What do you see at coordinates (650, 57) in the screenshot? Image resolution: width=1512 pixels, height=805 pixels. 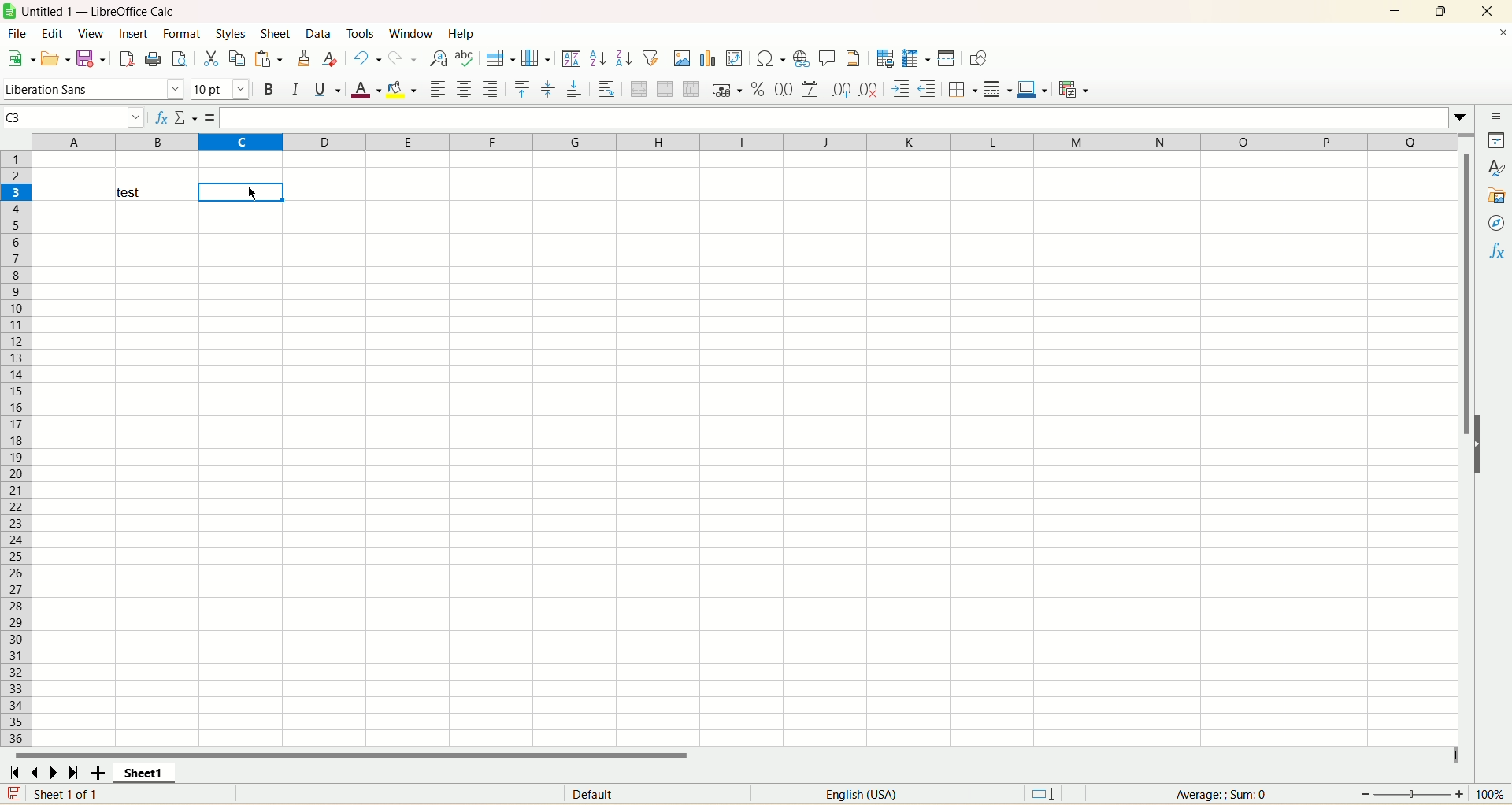 I see `auto filter` at bounding box center [650, 57].